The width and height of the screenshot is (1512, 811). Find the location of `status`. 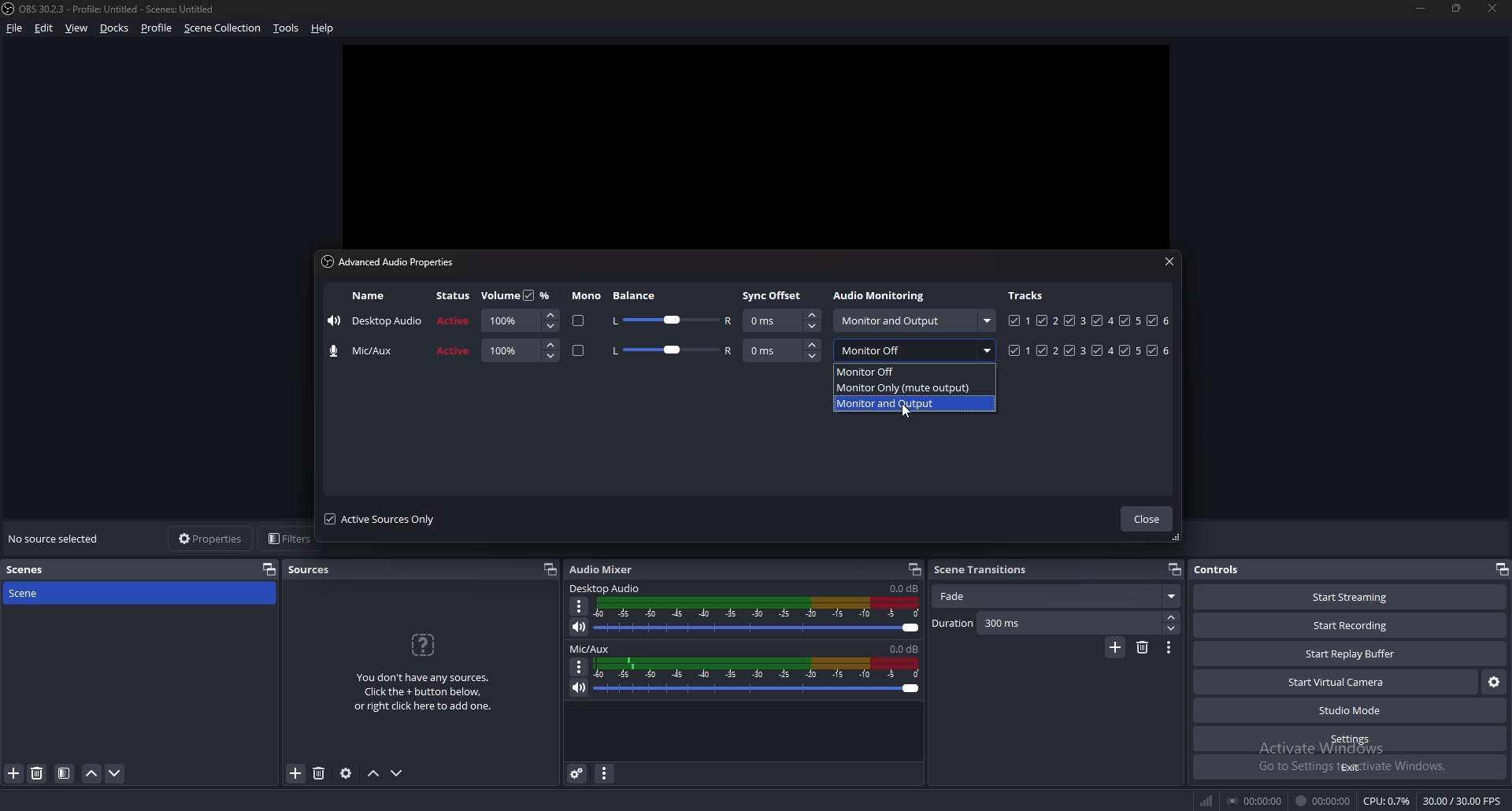

status is located at coordinates (454, 351).